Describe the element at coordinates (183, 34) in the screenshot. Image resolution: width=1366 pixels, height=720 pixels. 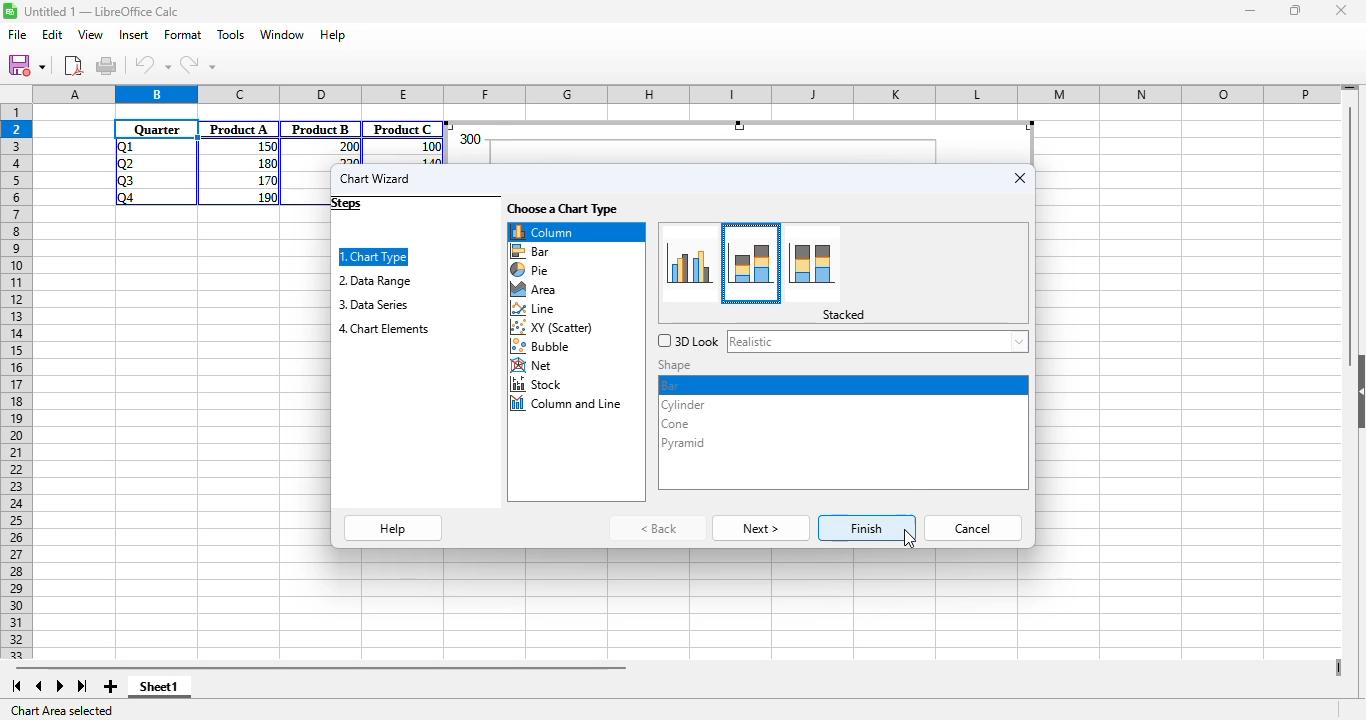
I see `format` at that location.